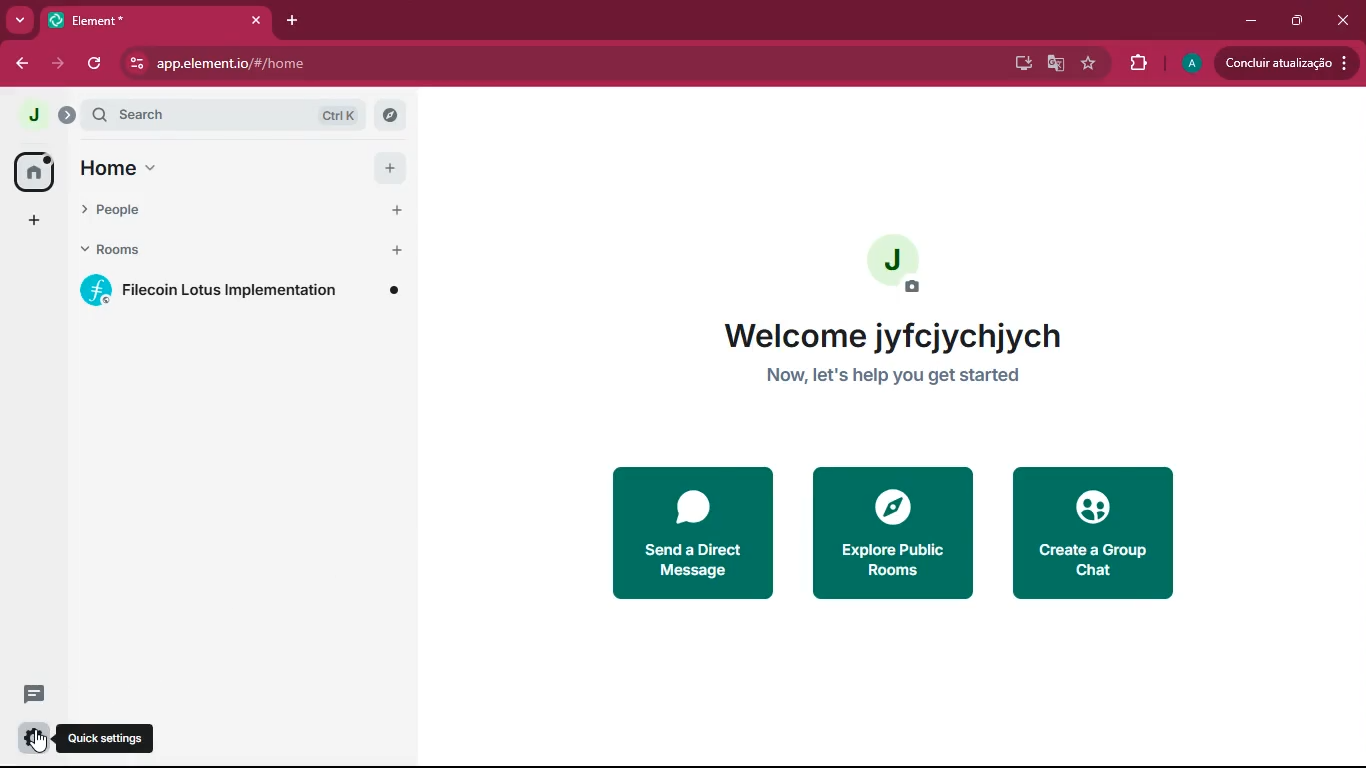  Describe the element at coordinates (894, 379) in the screenshot. I see `Now, let's help you get started` at that location.